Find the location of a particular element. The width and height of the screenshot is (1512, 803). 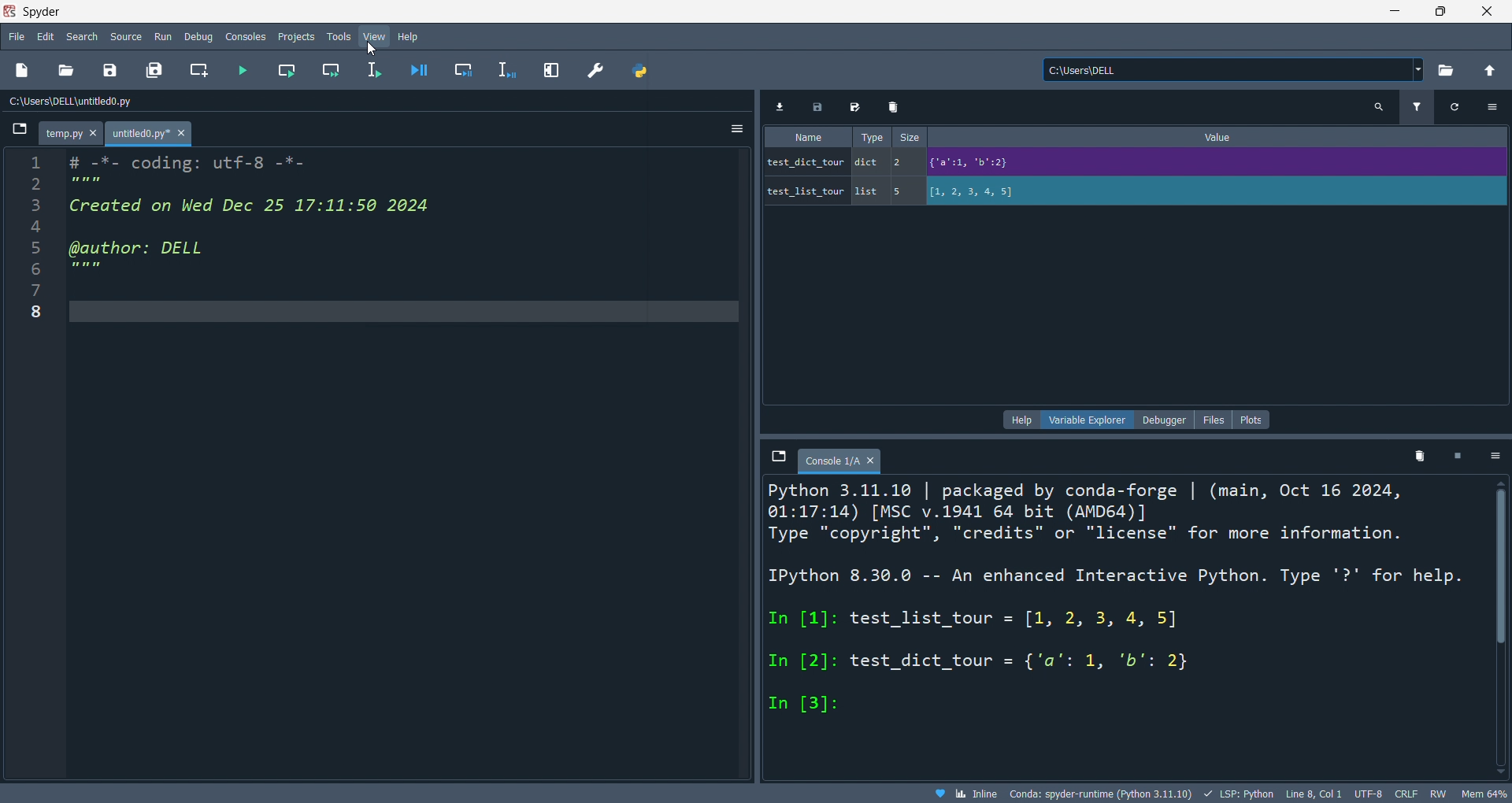

new file is located at coordinates (24, 71).